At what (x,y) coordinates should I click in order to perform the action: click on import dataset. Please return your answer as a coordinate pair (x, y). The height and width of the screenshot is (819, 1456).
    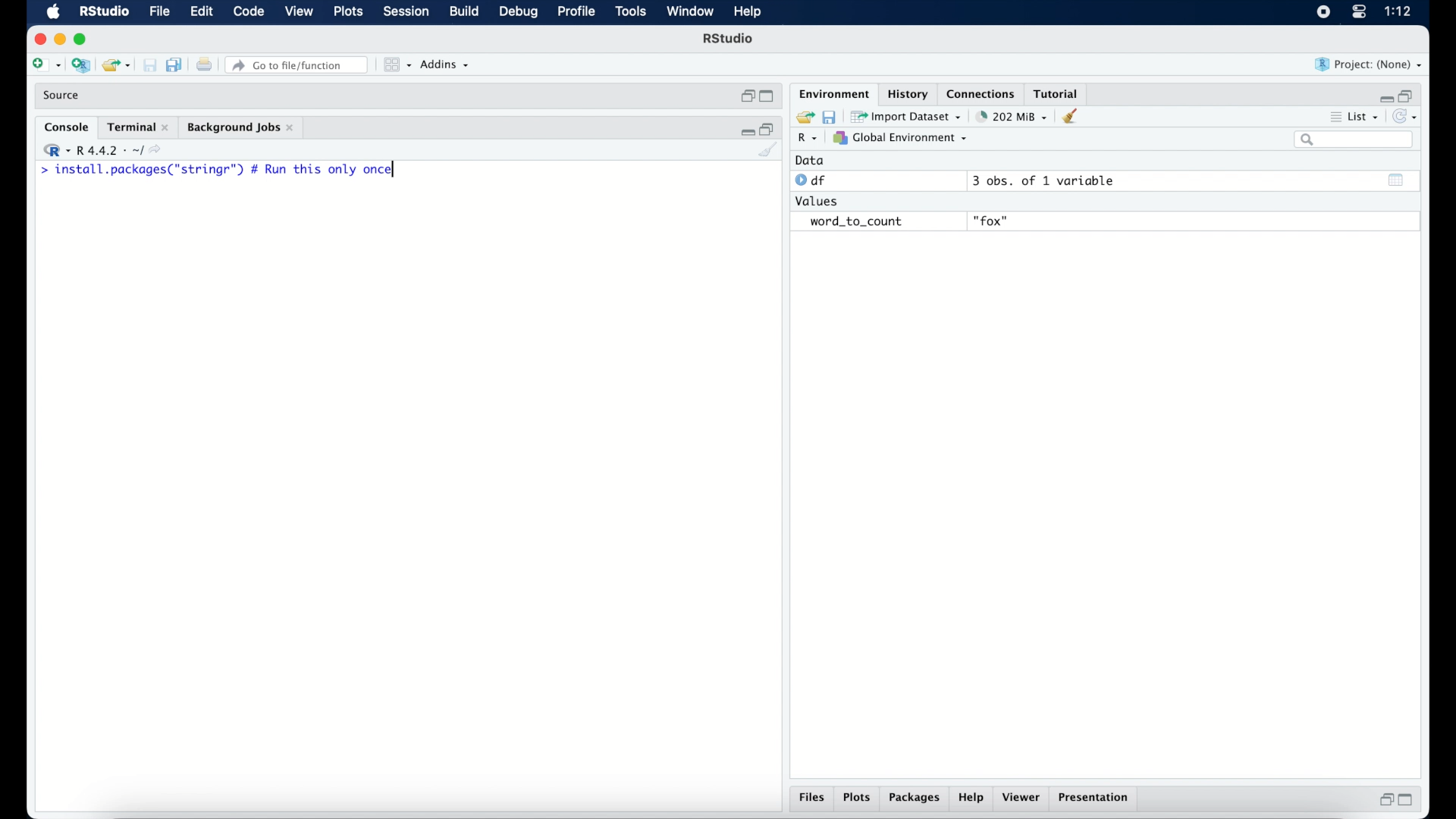
    Looking at the image, I should click on (906, 117).